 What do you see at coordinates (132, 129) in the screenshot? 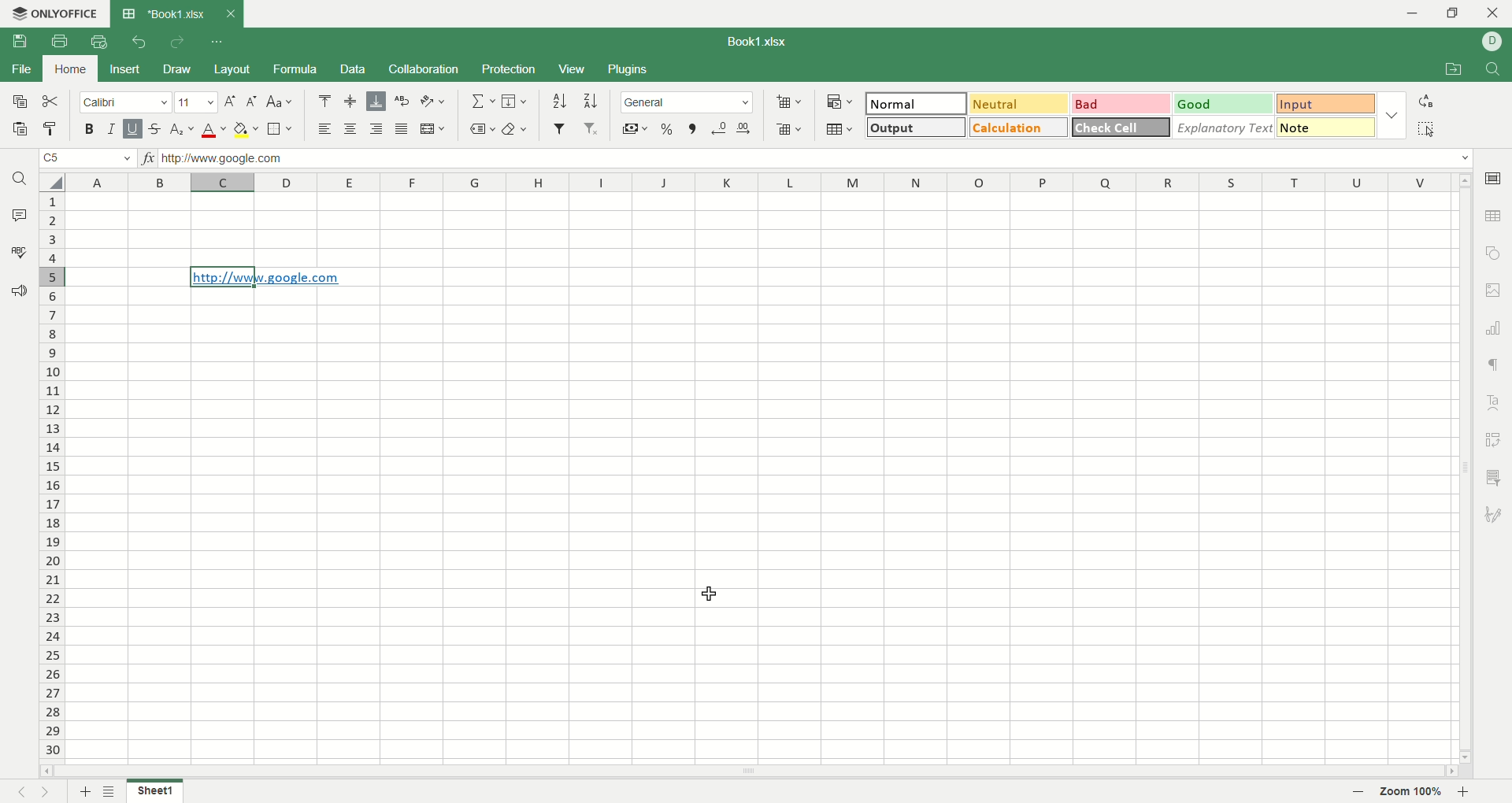
I see `underline` at bounding box center [132, 129].